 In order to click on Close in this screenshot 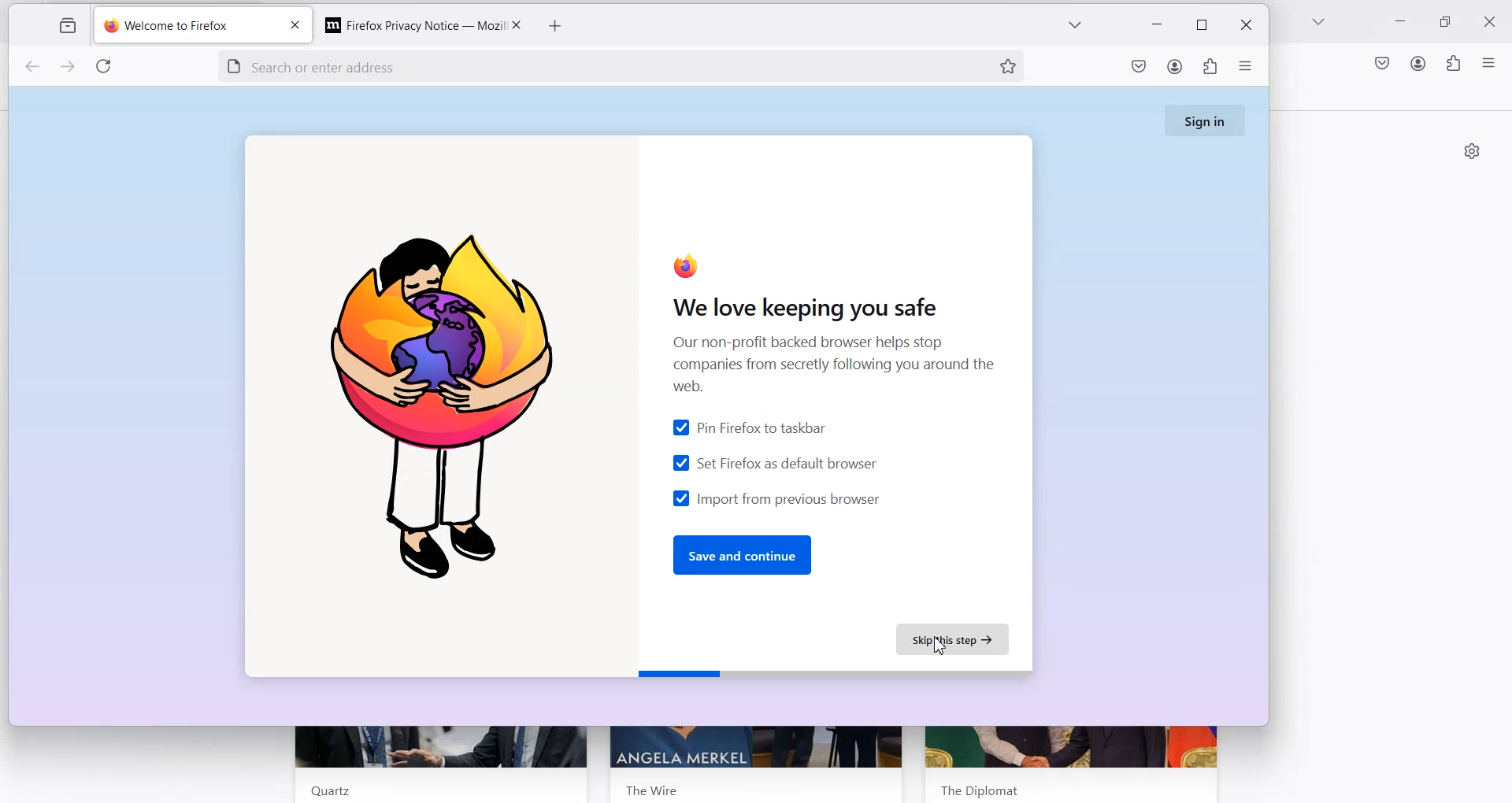, I will do `click(1494, 20)`.